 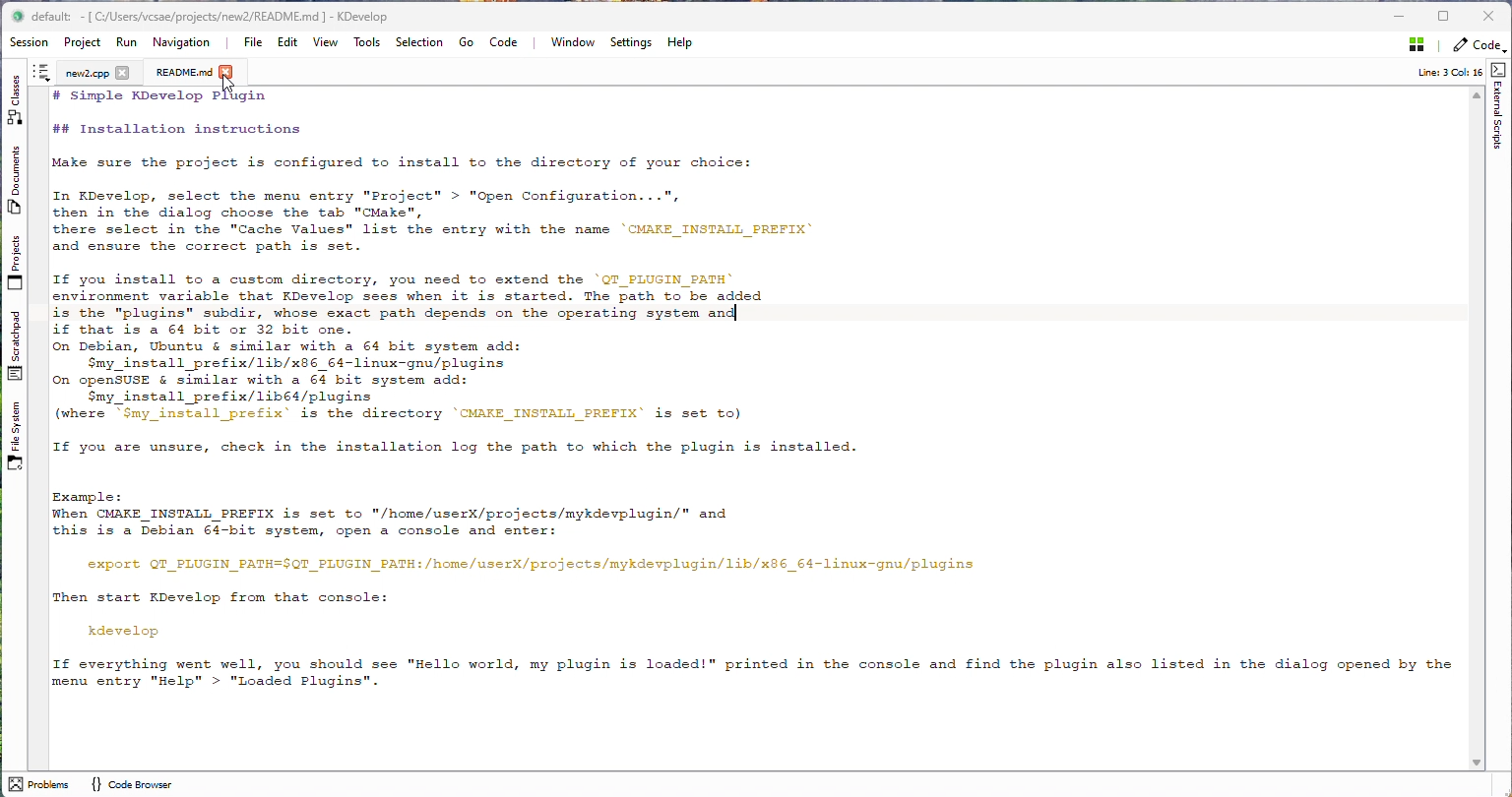 I want to click on Settings, so click(x=632, y=45).